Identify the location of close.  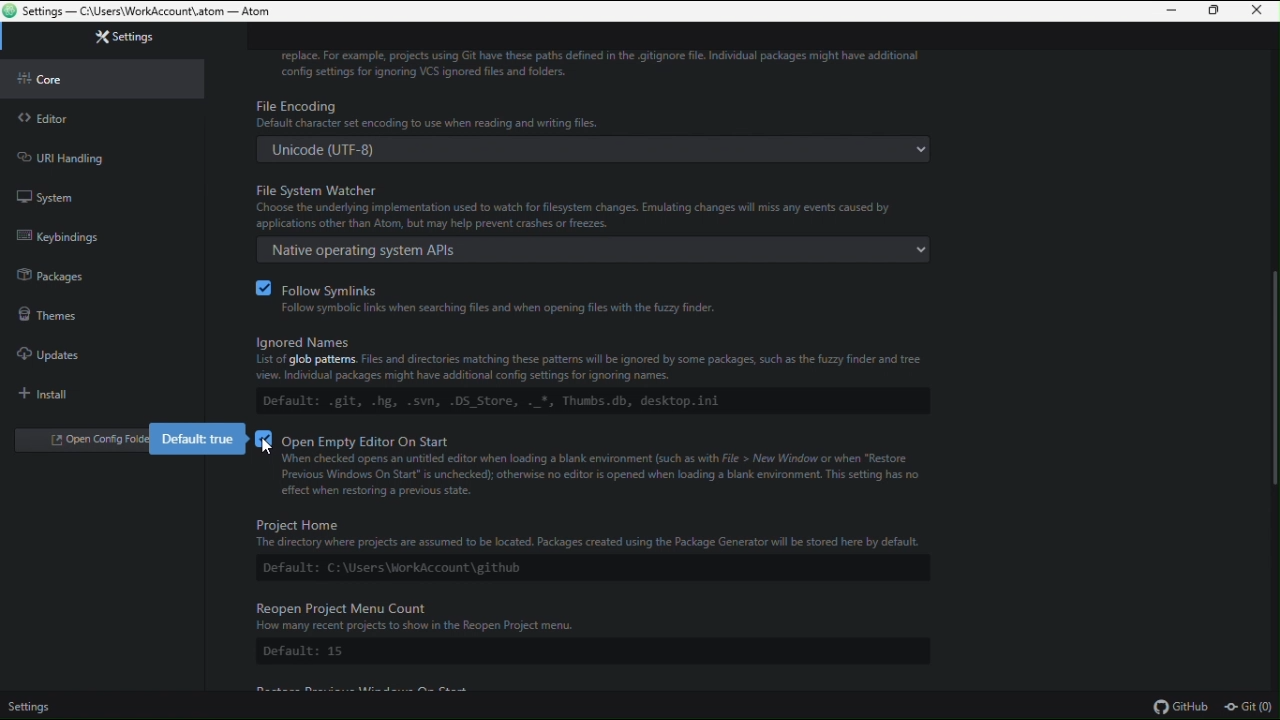
(1255, 11).